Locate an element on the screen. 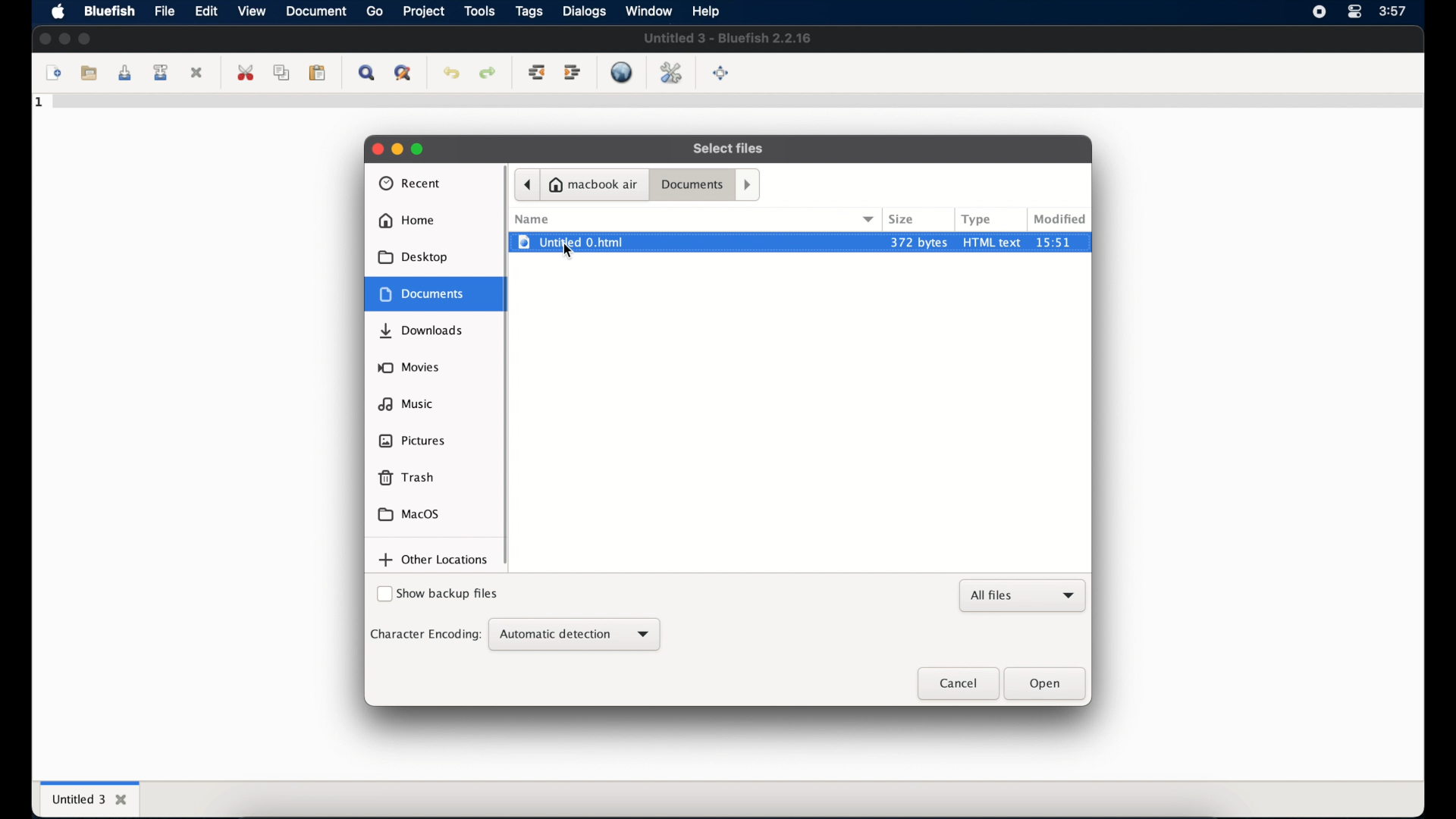  html text is located at coordinates (993, 241).